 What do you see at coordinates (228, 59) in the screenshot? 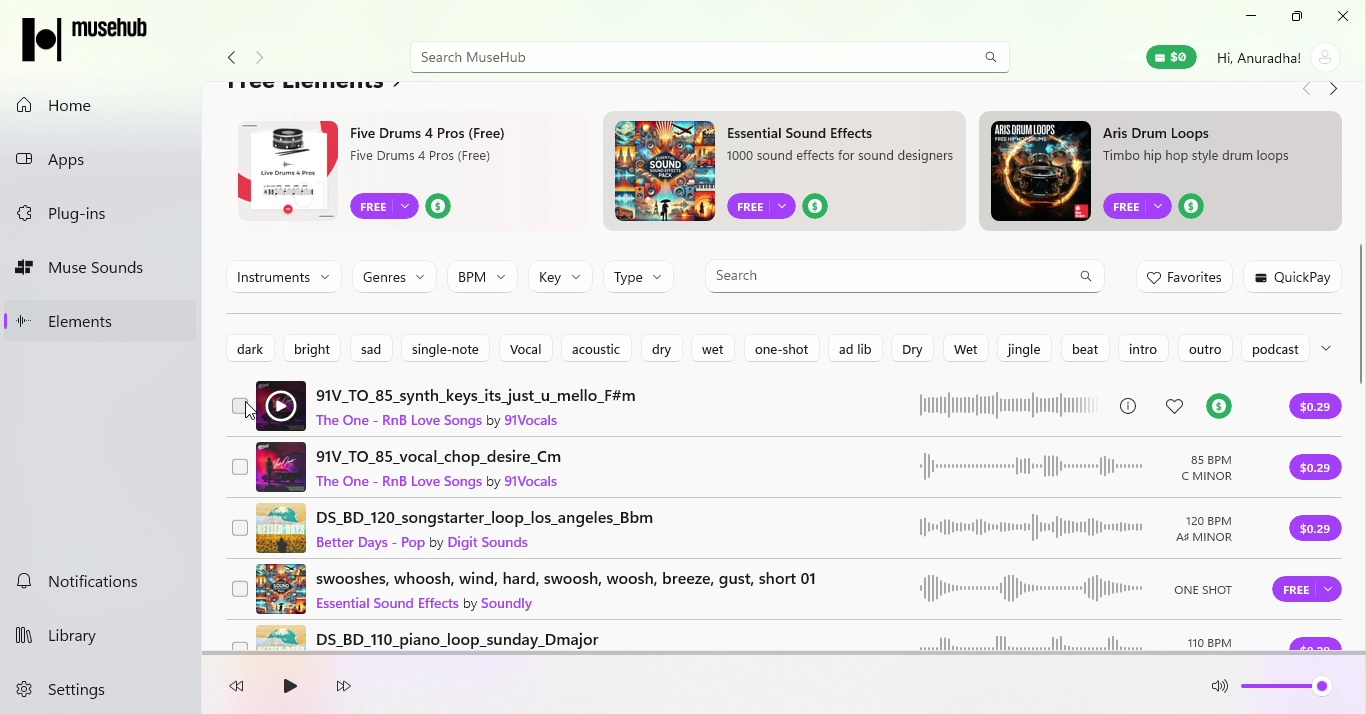
I see `Navigate back` at bounding box center [228, 59].